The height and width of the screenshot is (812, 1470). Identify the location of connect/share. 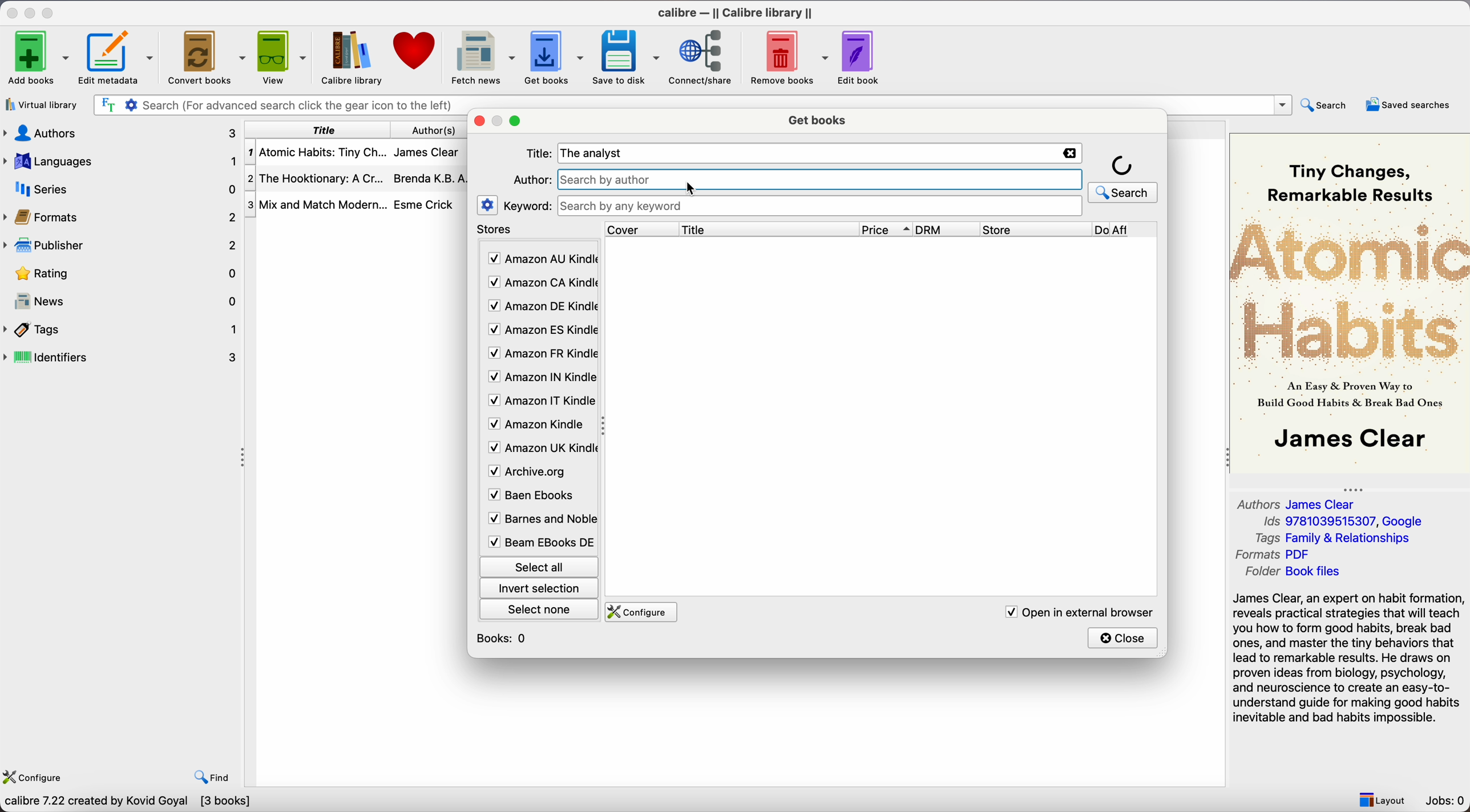
(702, 58).